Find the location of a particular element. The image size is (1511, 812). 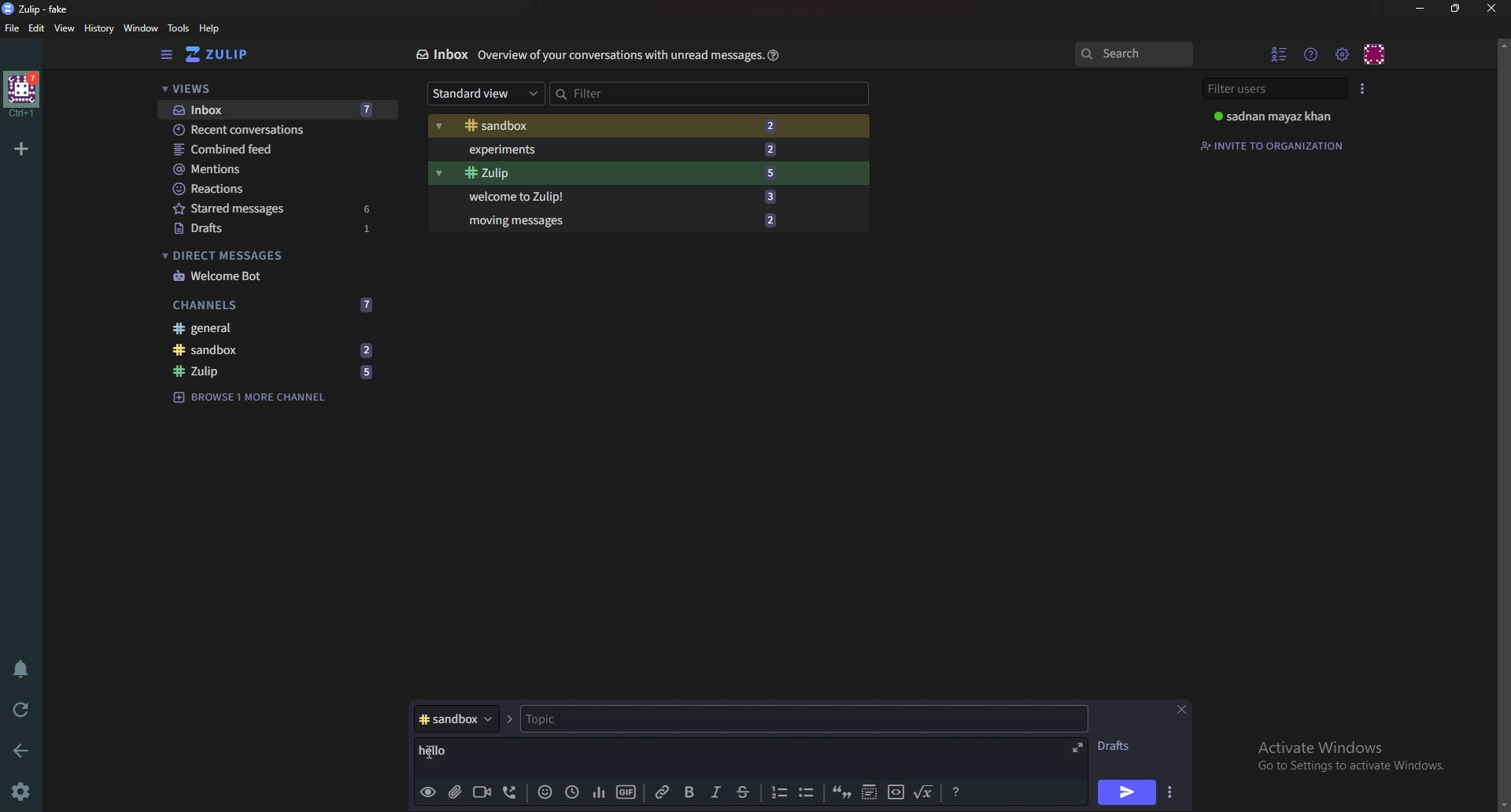

Video call is located at coordinates (481, 795).